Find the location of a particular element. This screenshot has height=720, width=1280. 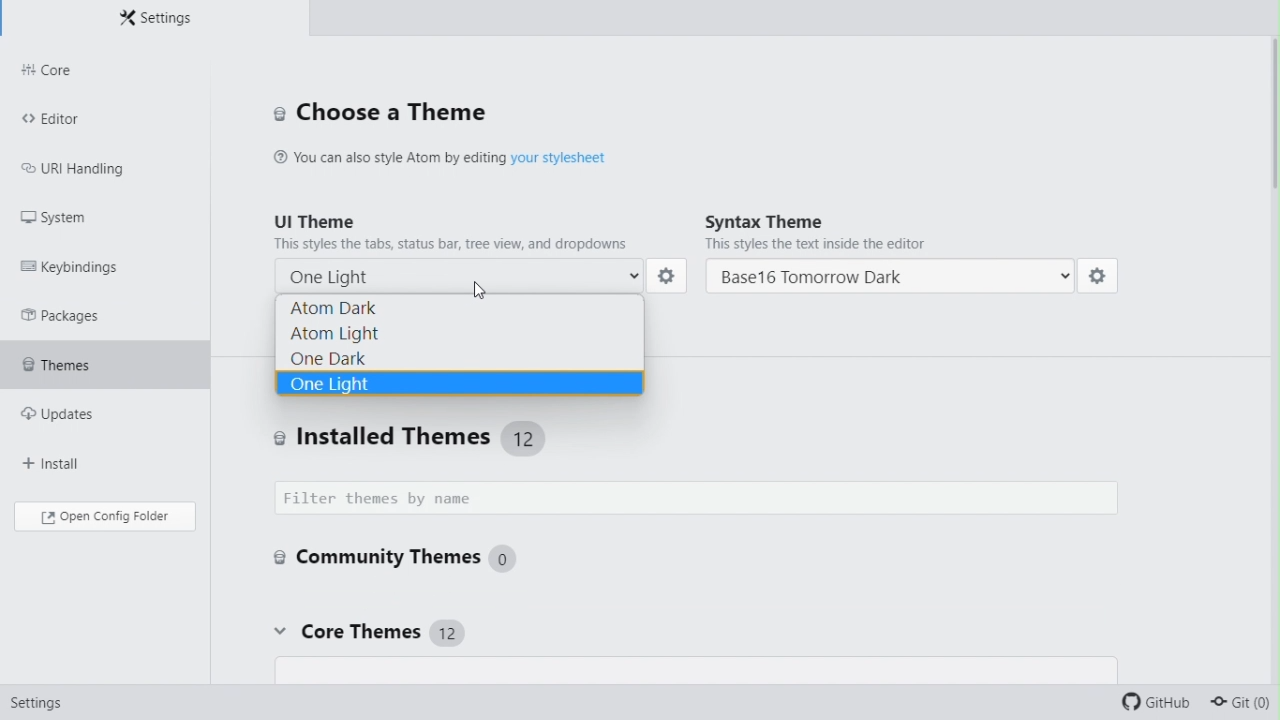

Core  is located at coordinates (105, 71).